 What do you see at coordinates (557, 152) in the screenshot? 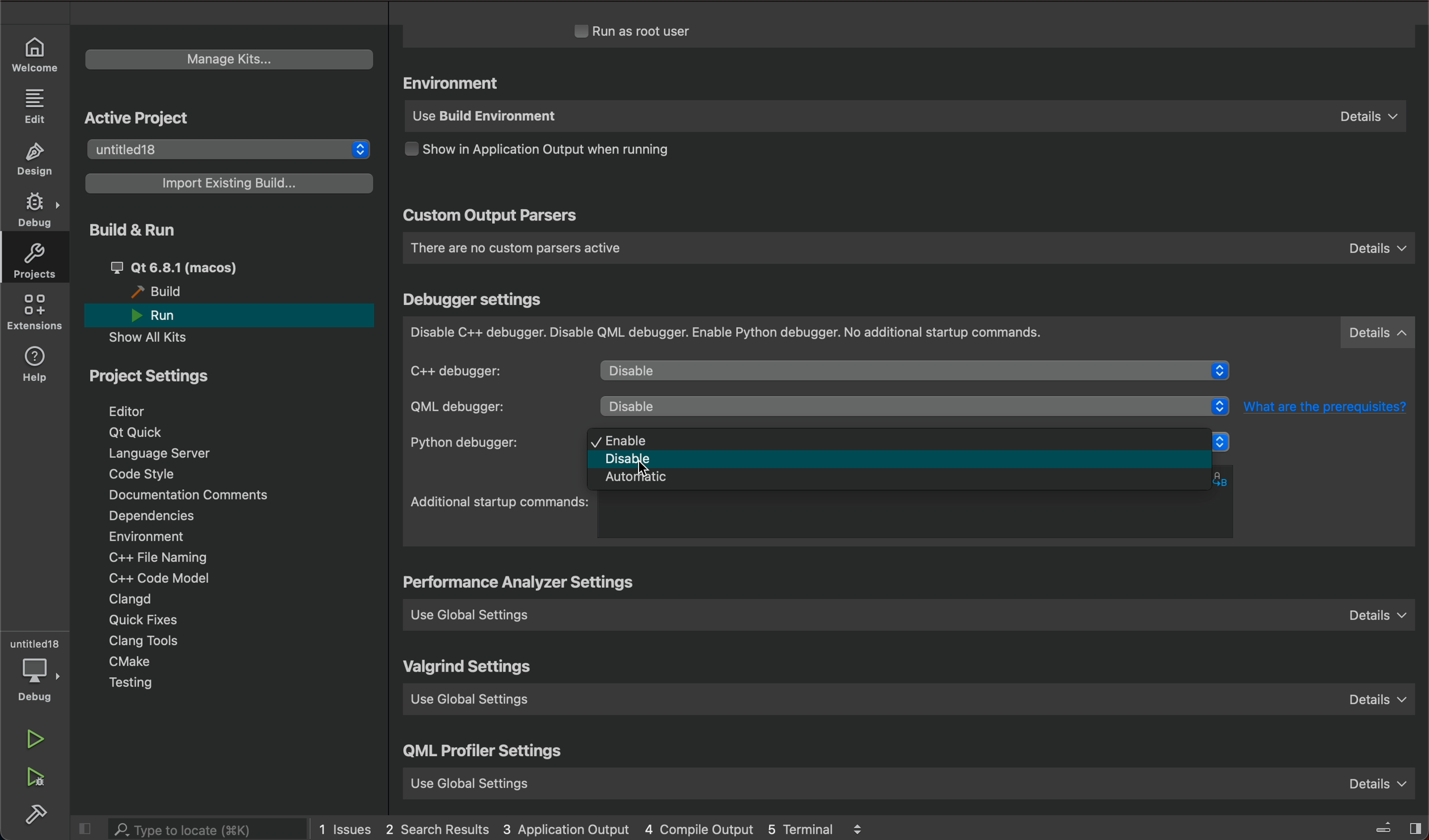
I see `output` at bounding box center [557, 152].